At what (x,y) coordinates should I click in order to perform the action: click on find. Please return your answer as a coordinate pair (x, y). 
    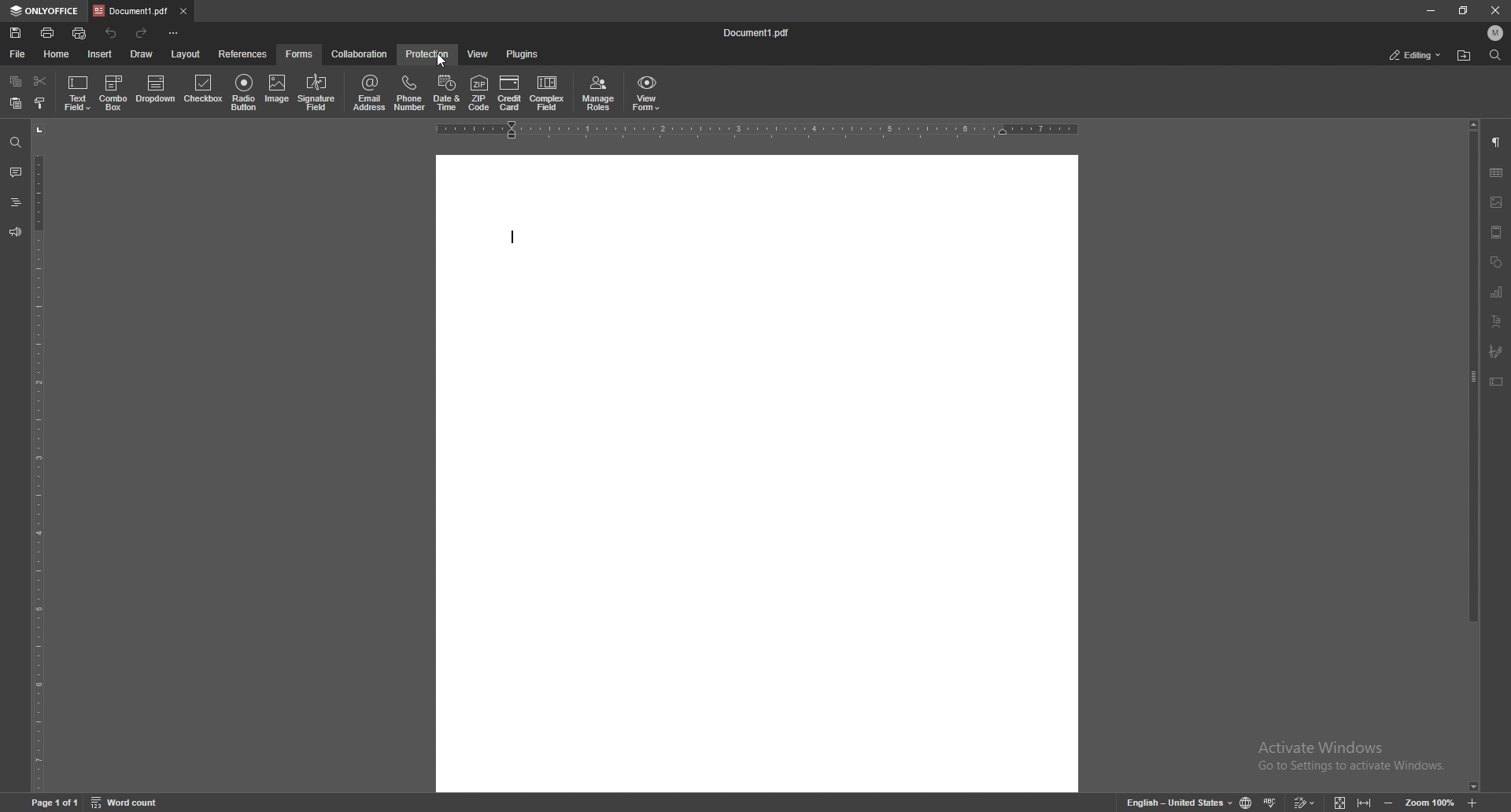
    Looking at the image, I should click on (1494, 55).